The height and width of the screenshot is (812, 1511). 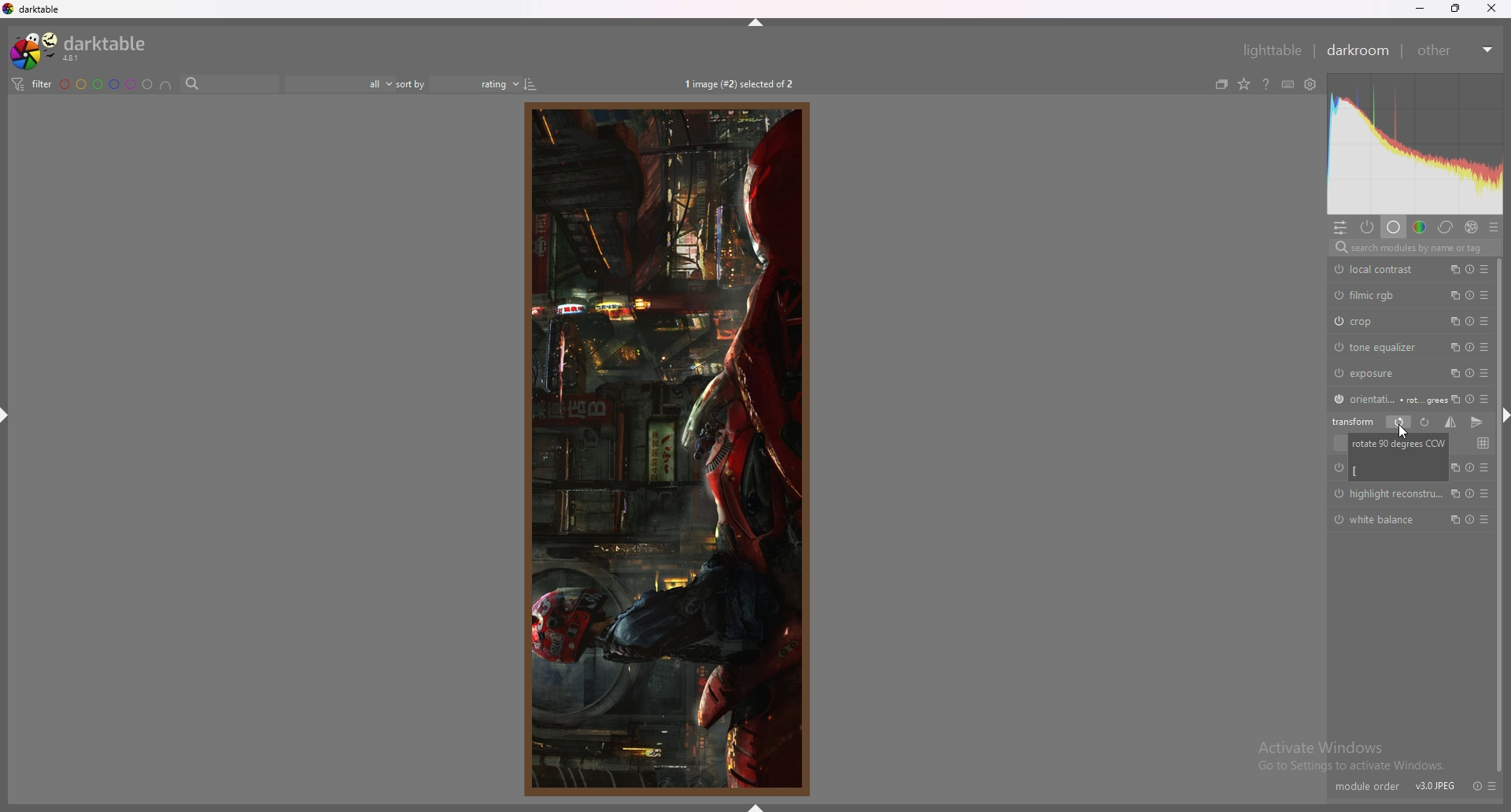 I want to click on presets, so click(x=1483, y=397).